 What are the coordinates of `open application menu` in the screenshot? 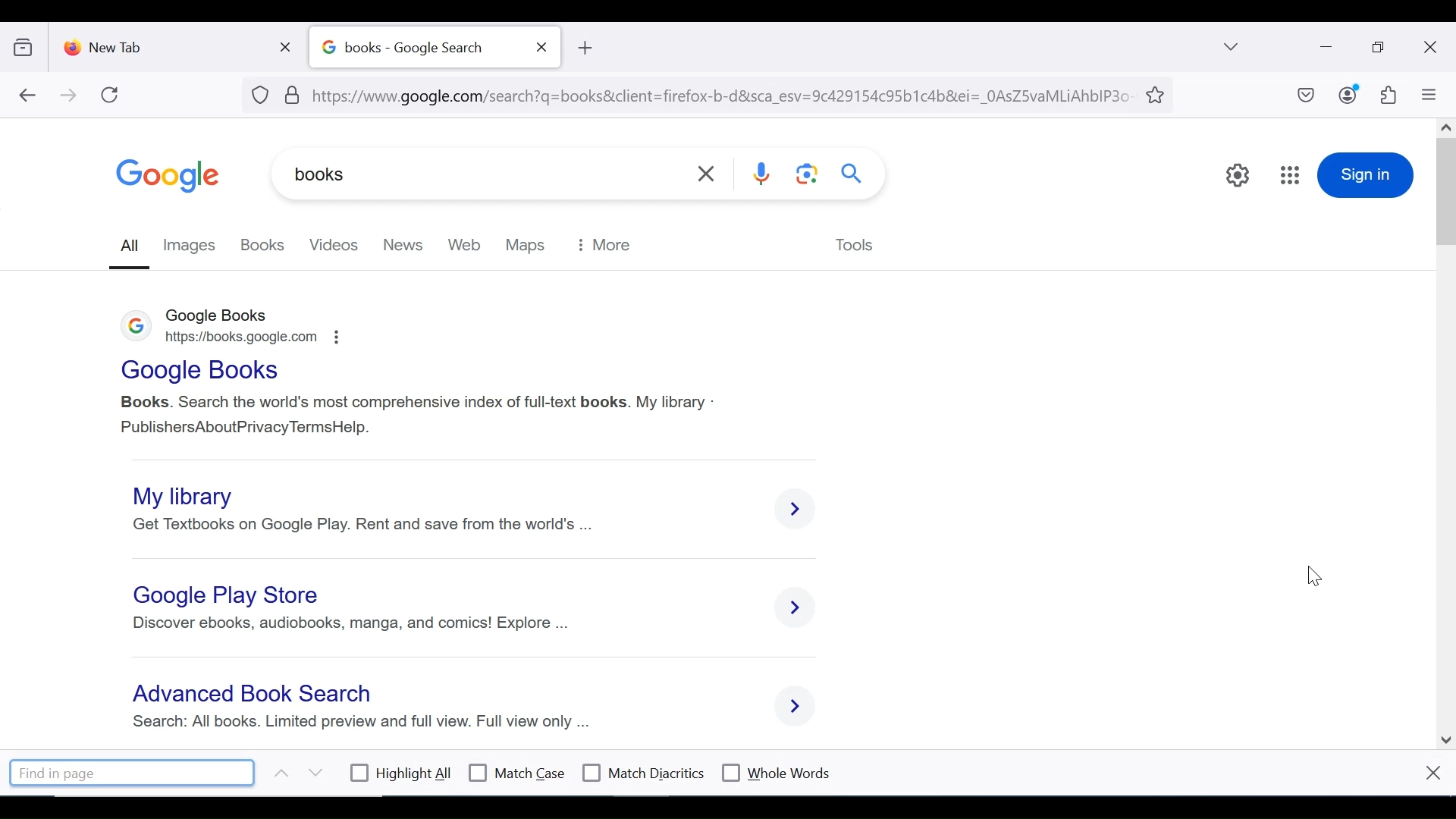 It's located at (1428, 95).